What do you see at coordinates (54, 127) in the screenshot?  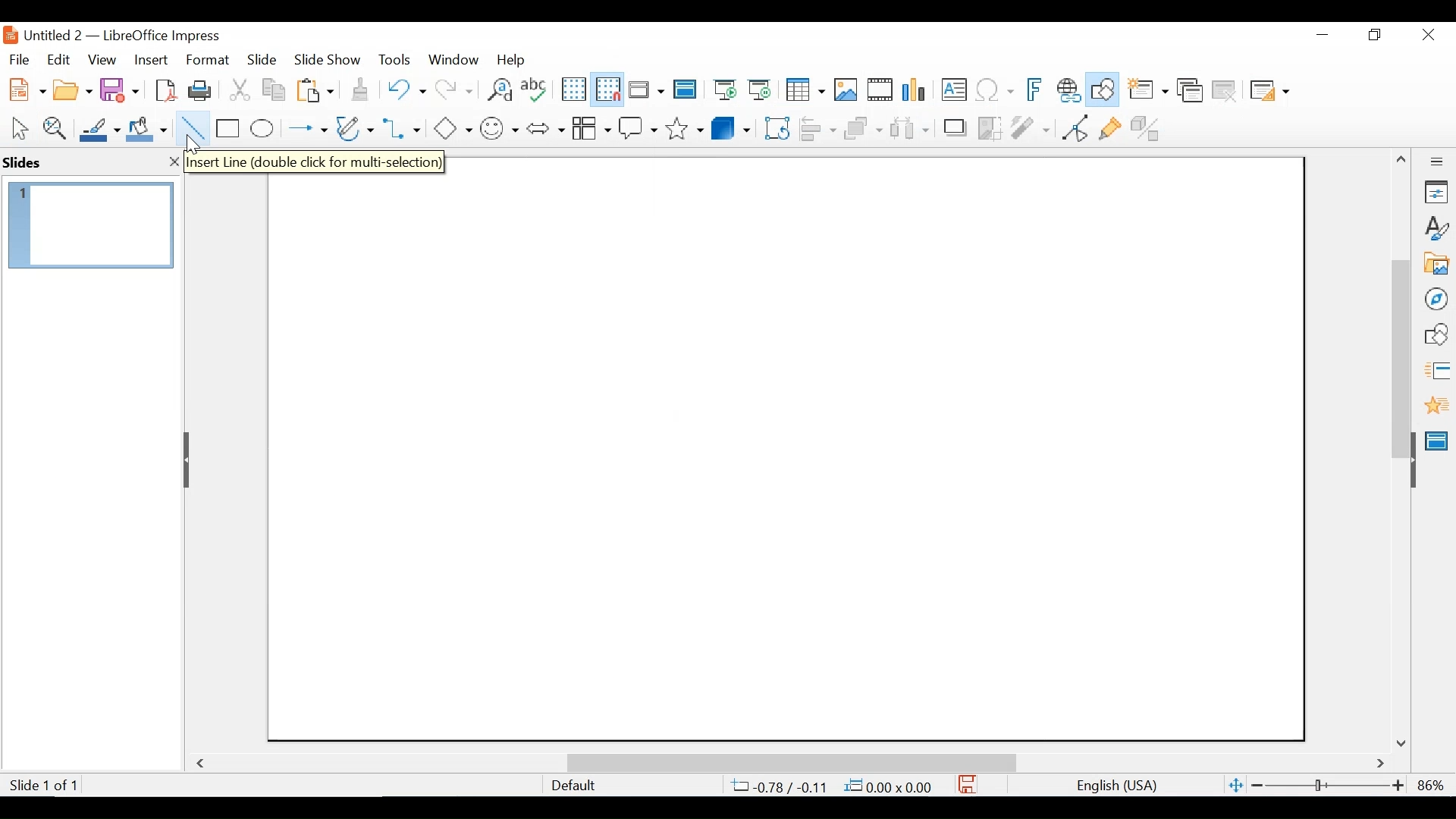 I see `Zoom & Pan` at bounding box center [54, 127].